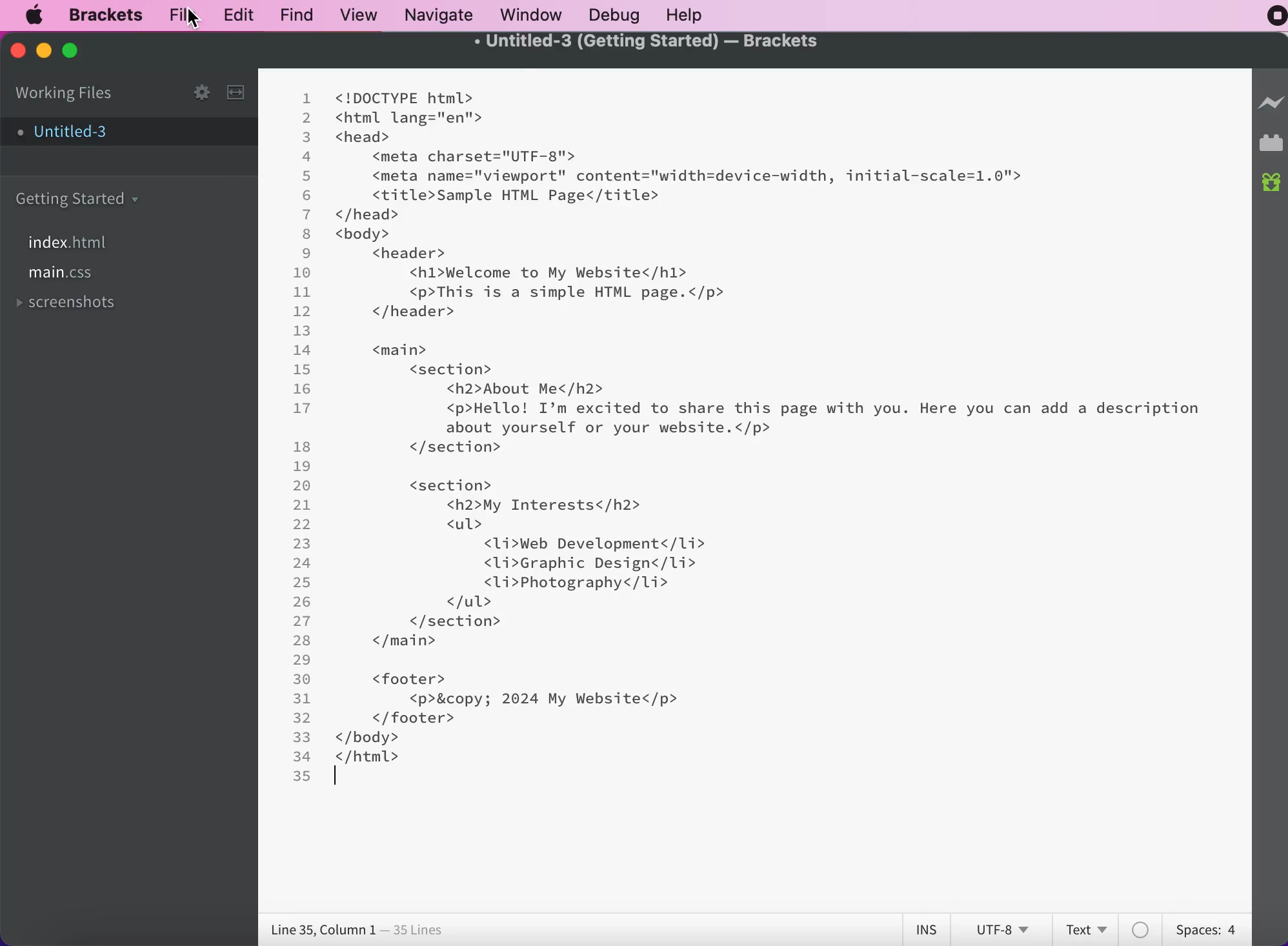  Describe the element at coordinates (302, 660) in the screenshot. I see `29` at that location.